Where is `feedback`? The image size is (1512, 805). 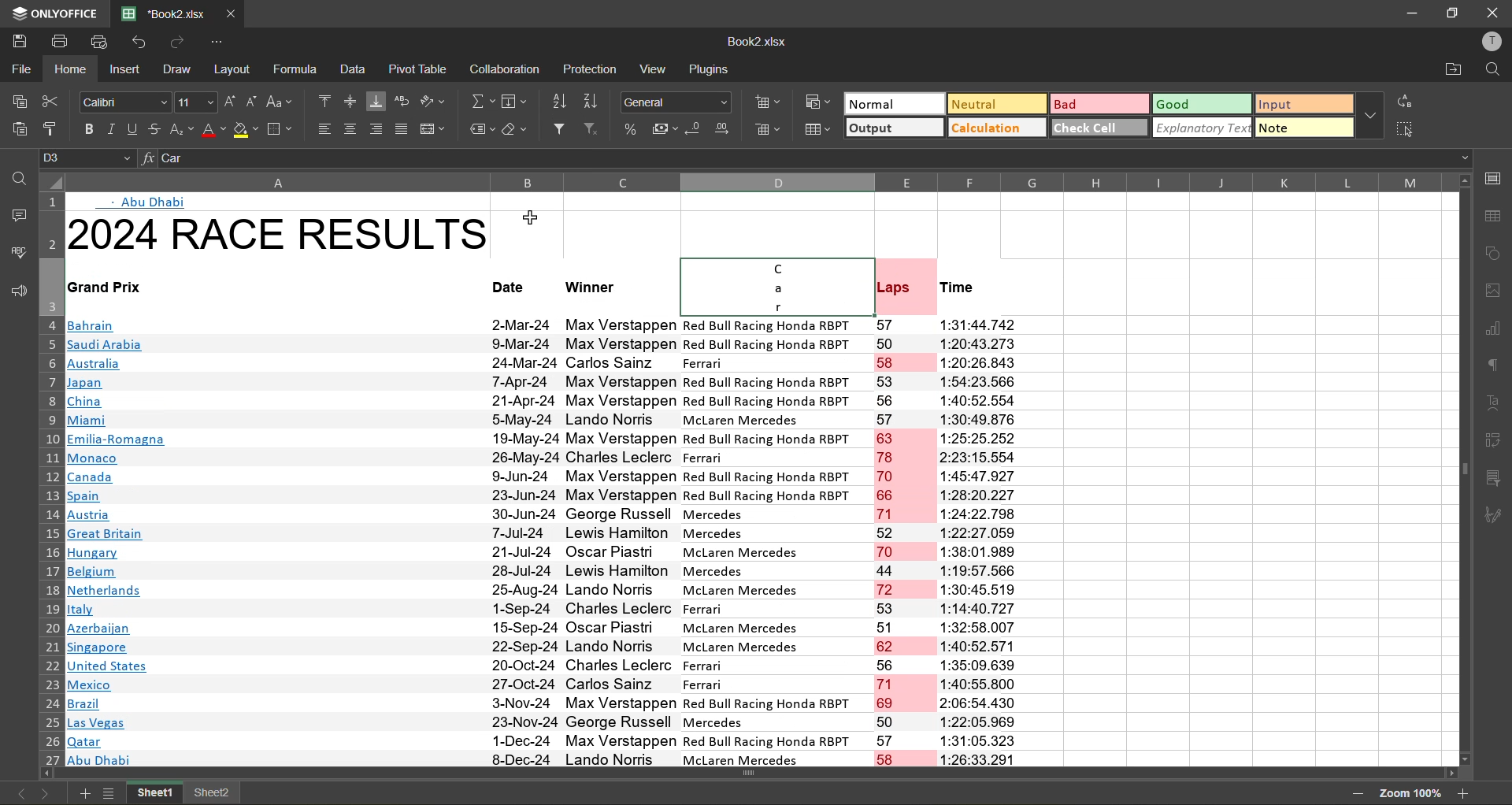
feedback is located at coordinates (18, 291).